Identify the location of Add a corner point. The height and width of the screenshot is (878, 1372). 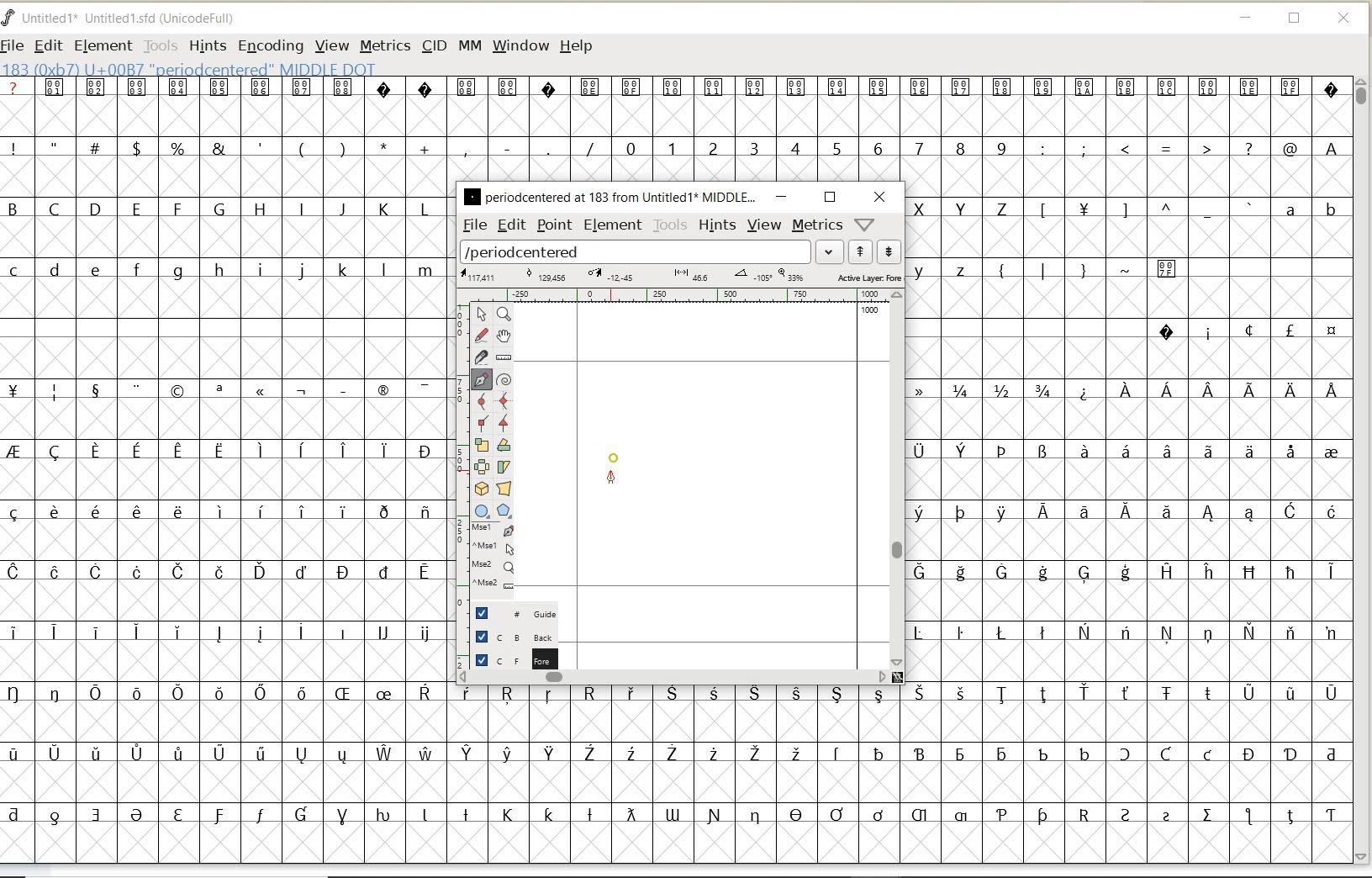
(481, 422).